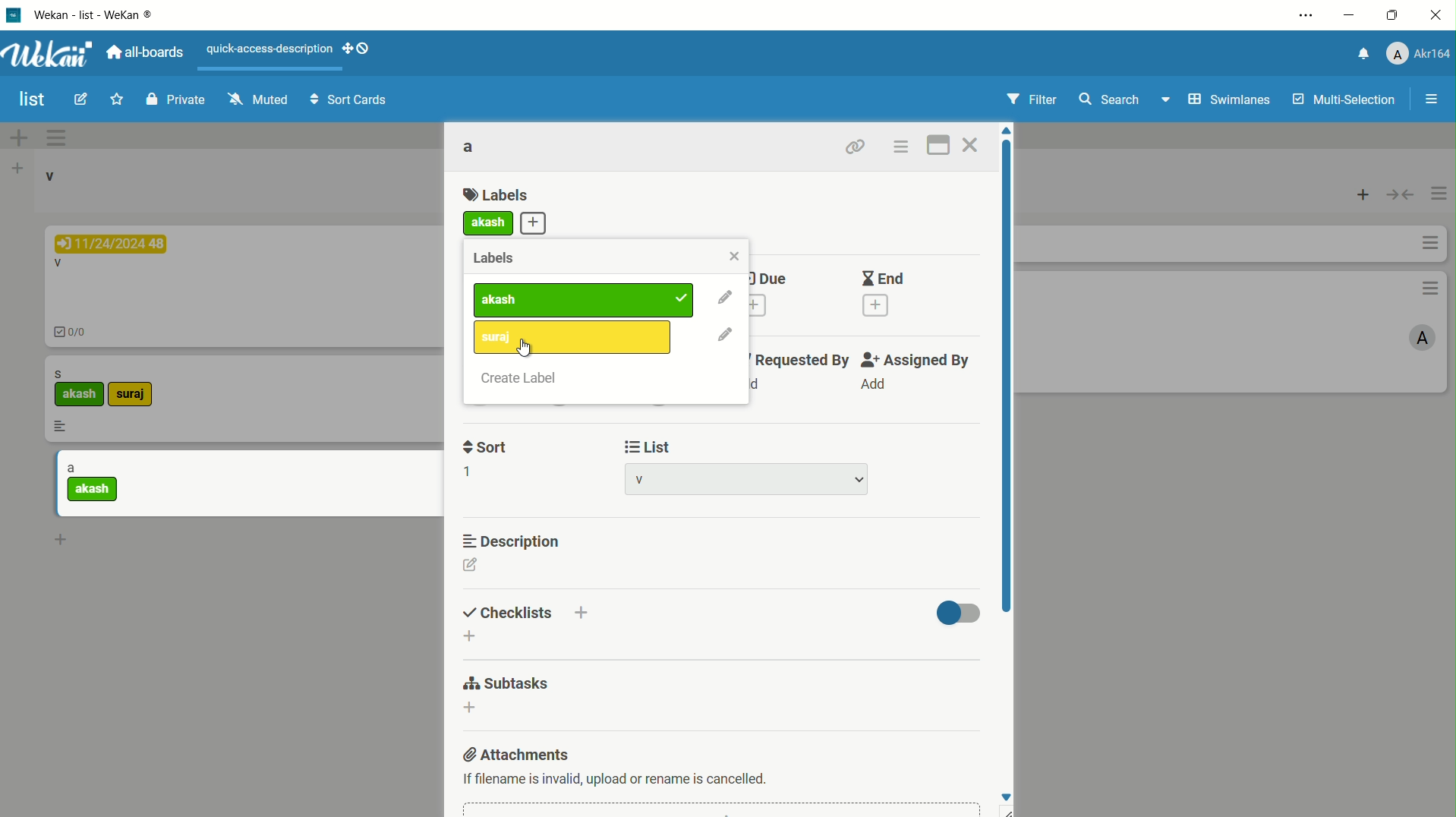 This screenshot has width=1456, height=817. Describe the element at coordinates (506, 681) in the screenshot. I see `subtasks` at that location.